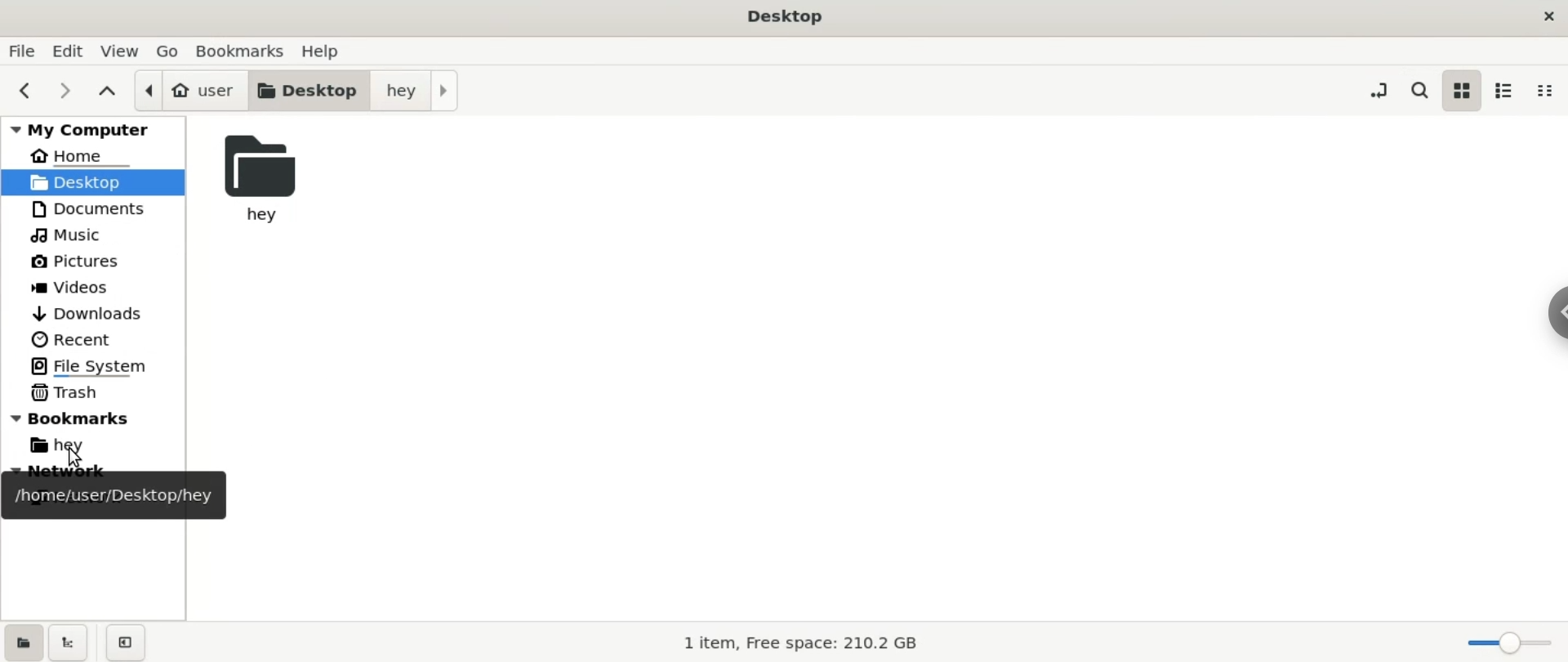  I want to click on music, so click(69, 235).